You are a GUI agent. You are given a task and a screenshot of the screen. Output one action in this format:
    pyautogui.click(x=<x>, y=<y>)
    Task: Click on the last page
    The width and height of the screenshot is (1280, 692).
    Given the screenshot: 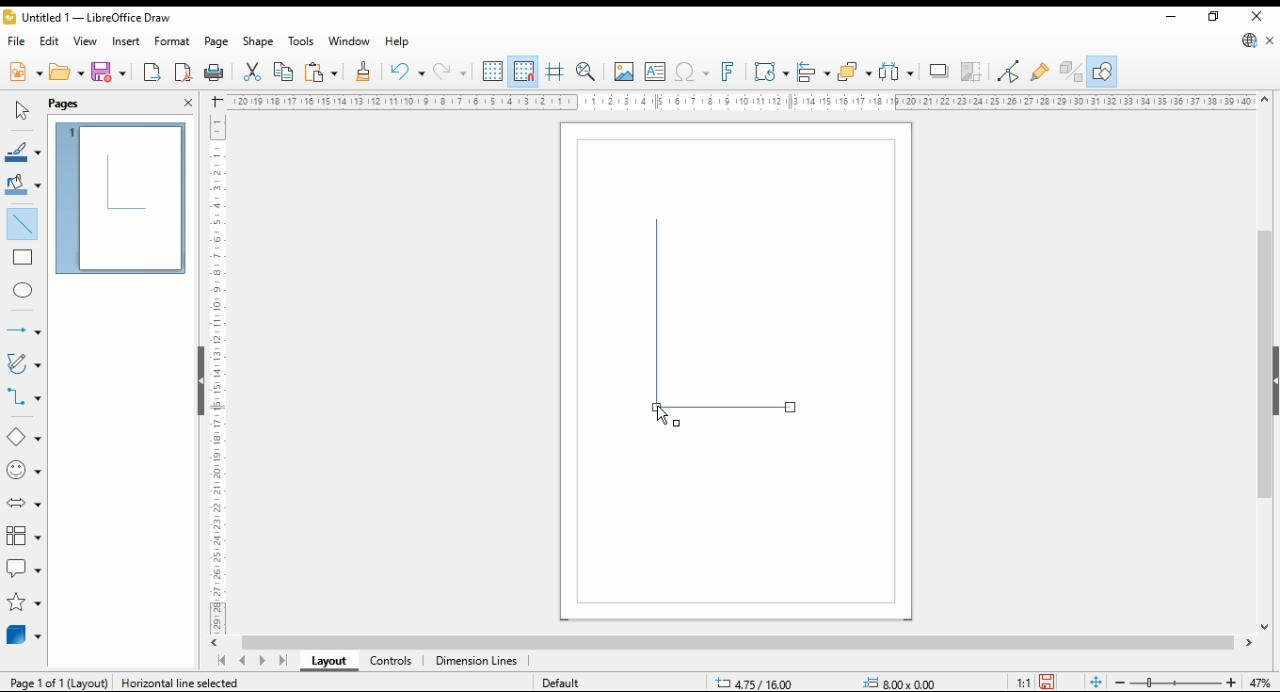 What is the action you would take?
    pyautogui.click(x=284, y=662)
    